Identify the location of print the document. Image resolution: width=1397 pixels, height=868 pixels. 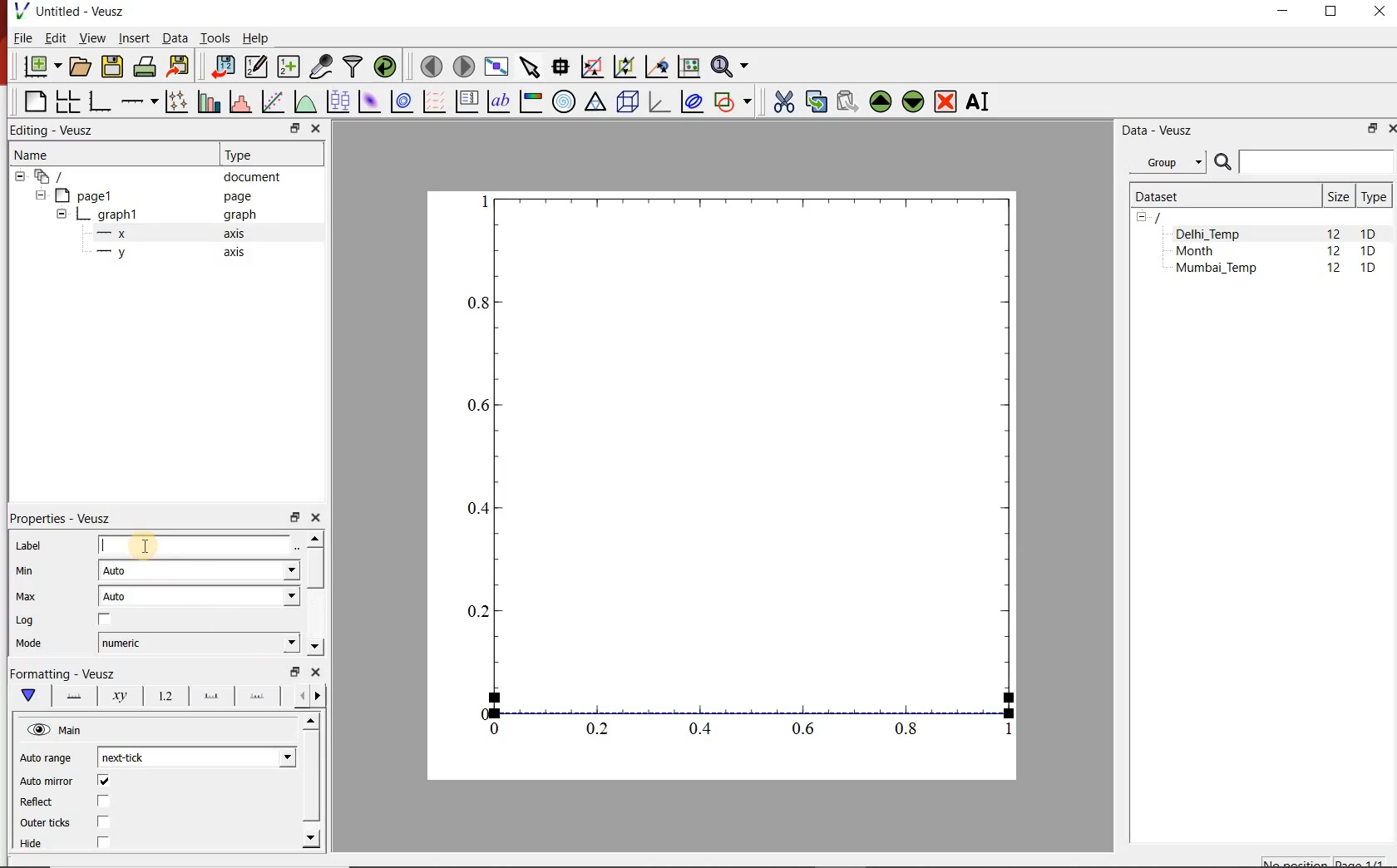
(145, 67).